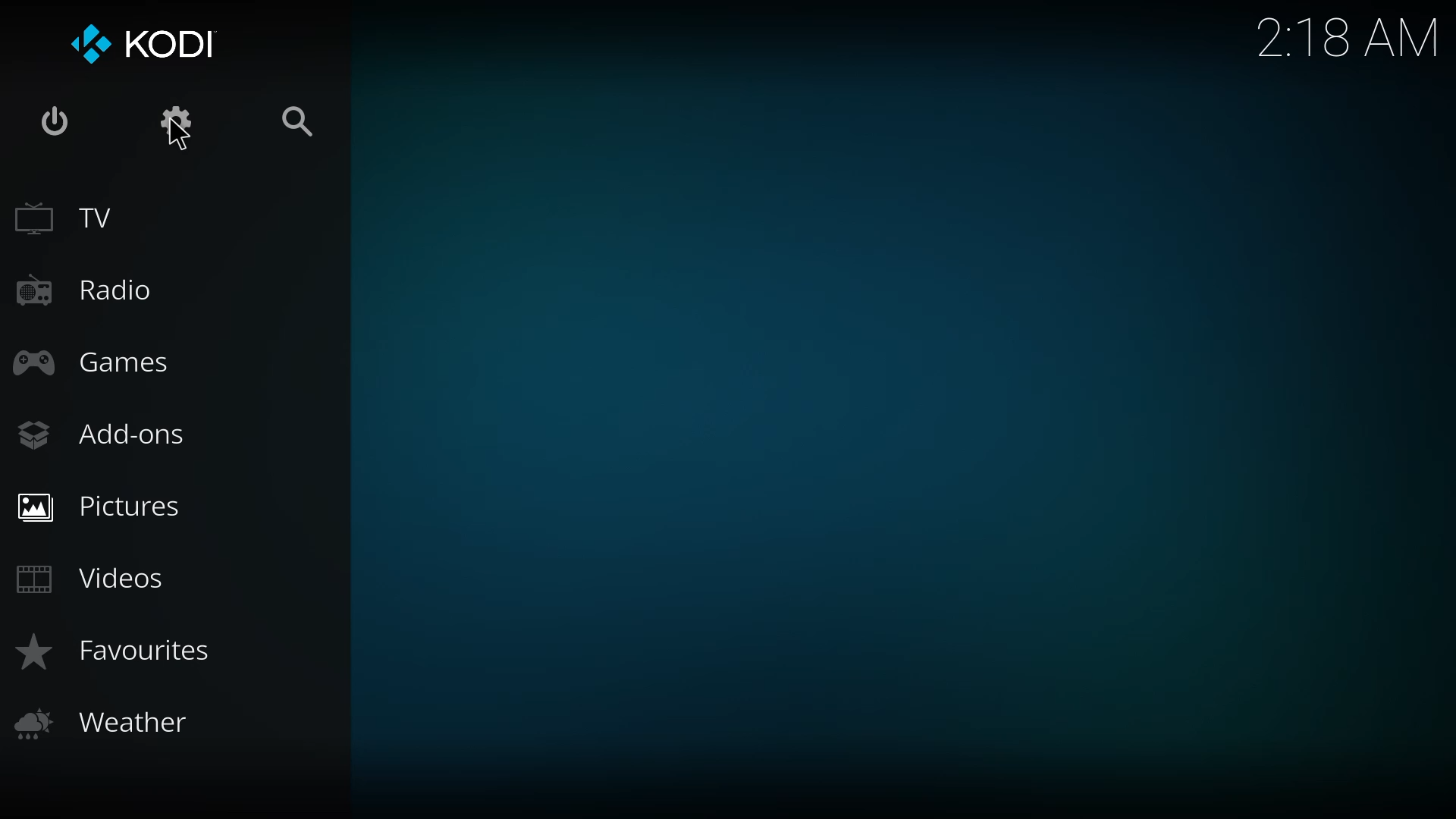 The image size is (1456, 819). I want to click on tv, so click(69, 216).